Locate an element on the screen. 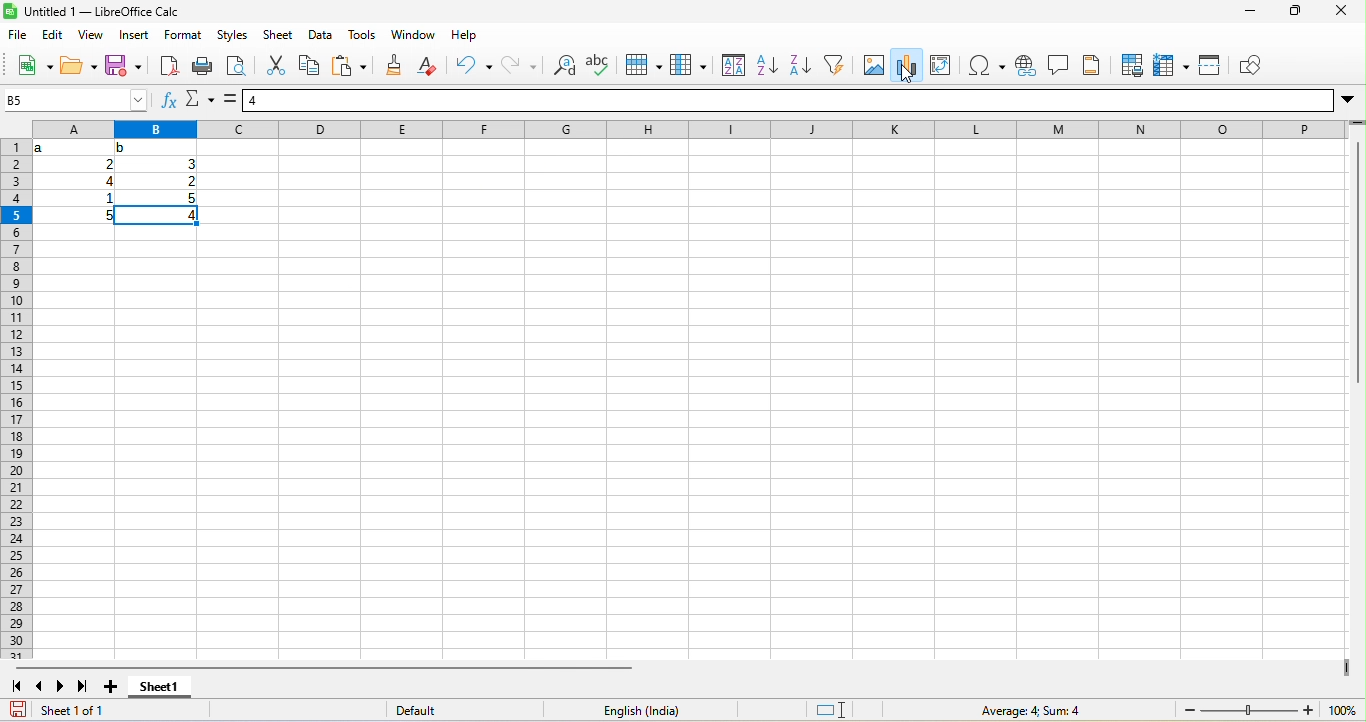 Image resolution: width=1366 pixels, height=722 pixels. Untitled 1 — LibreOffice Calc is located at coordinates (102, 11).